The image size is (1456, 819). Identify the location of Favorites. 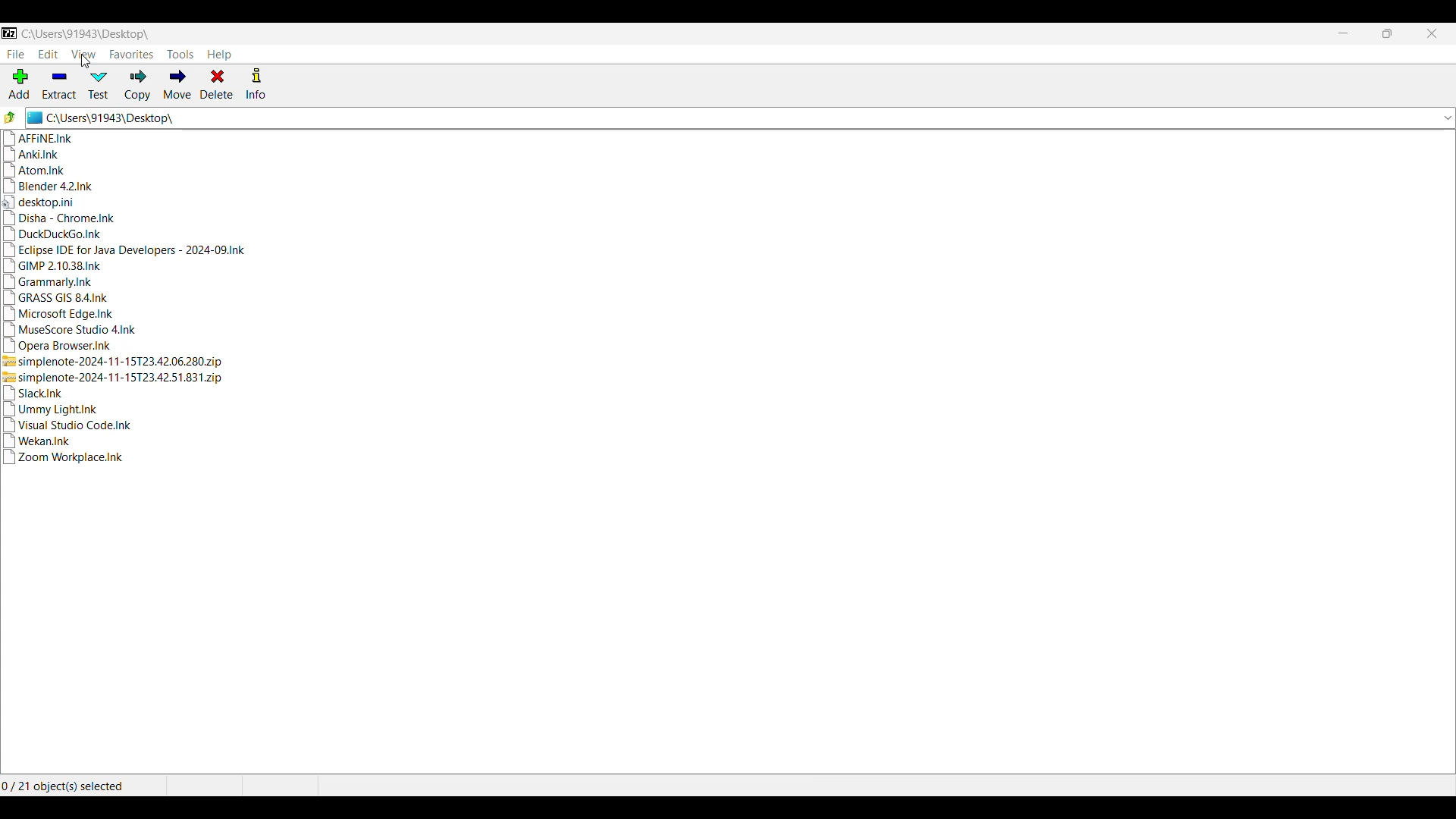
(132, 55).